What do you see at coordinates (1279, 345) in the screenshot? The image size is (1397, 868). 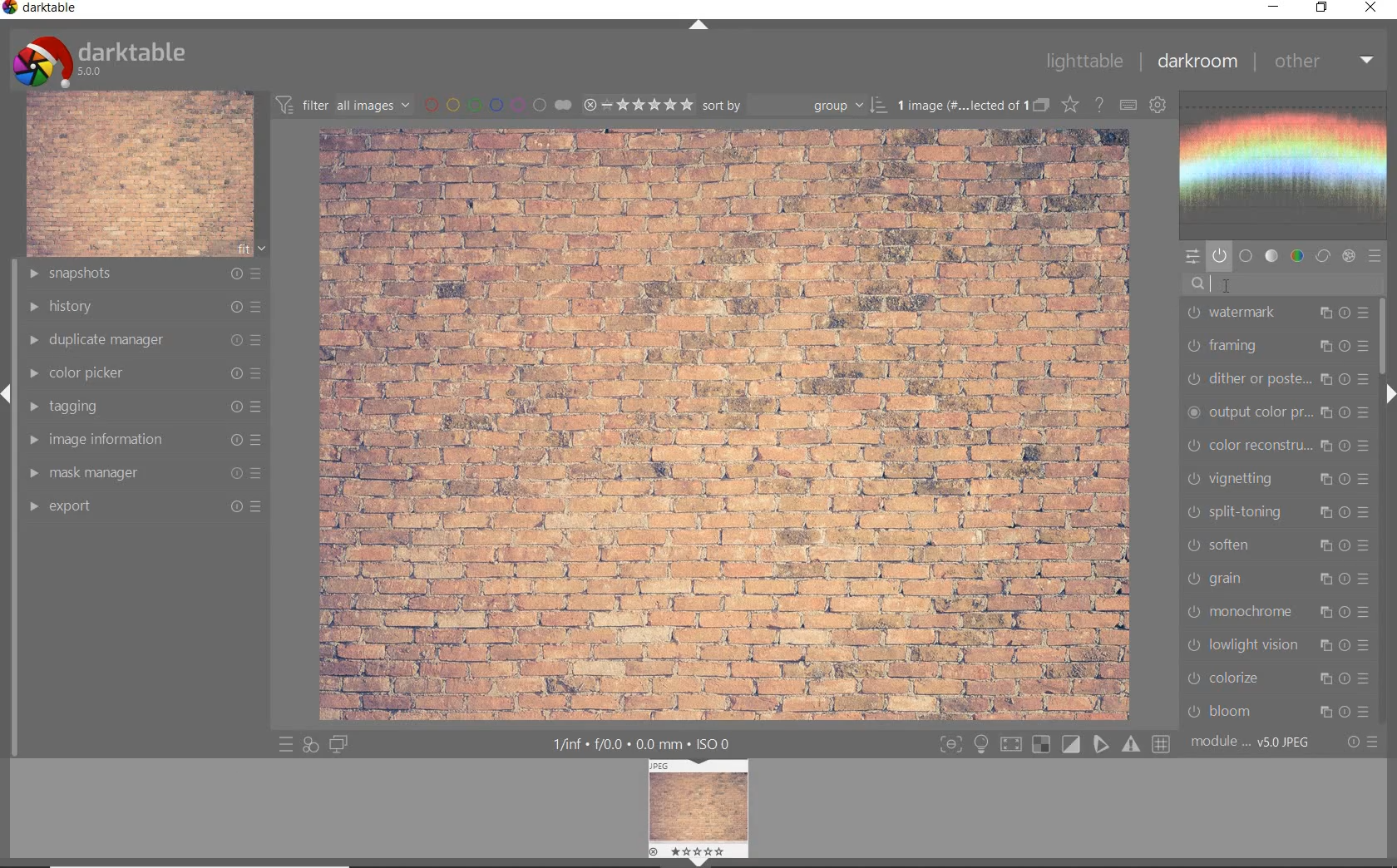 I see `framing` at bounding box center [1279, 345].